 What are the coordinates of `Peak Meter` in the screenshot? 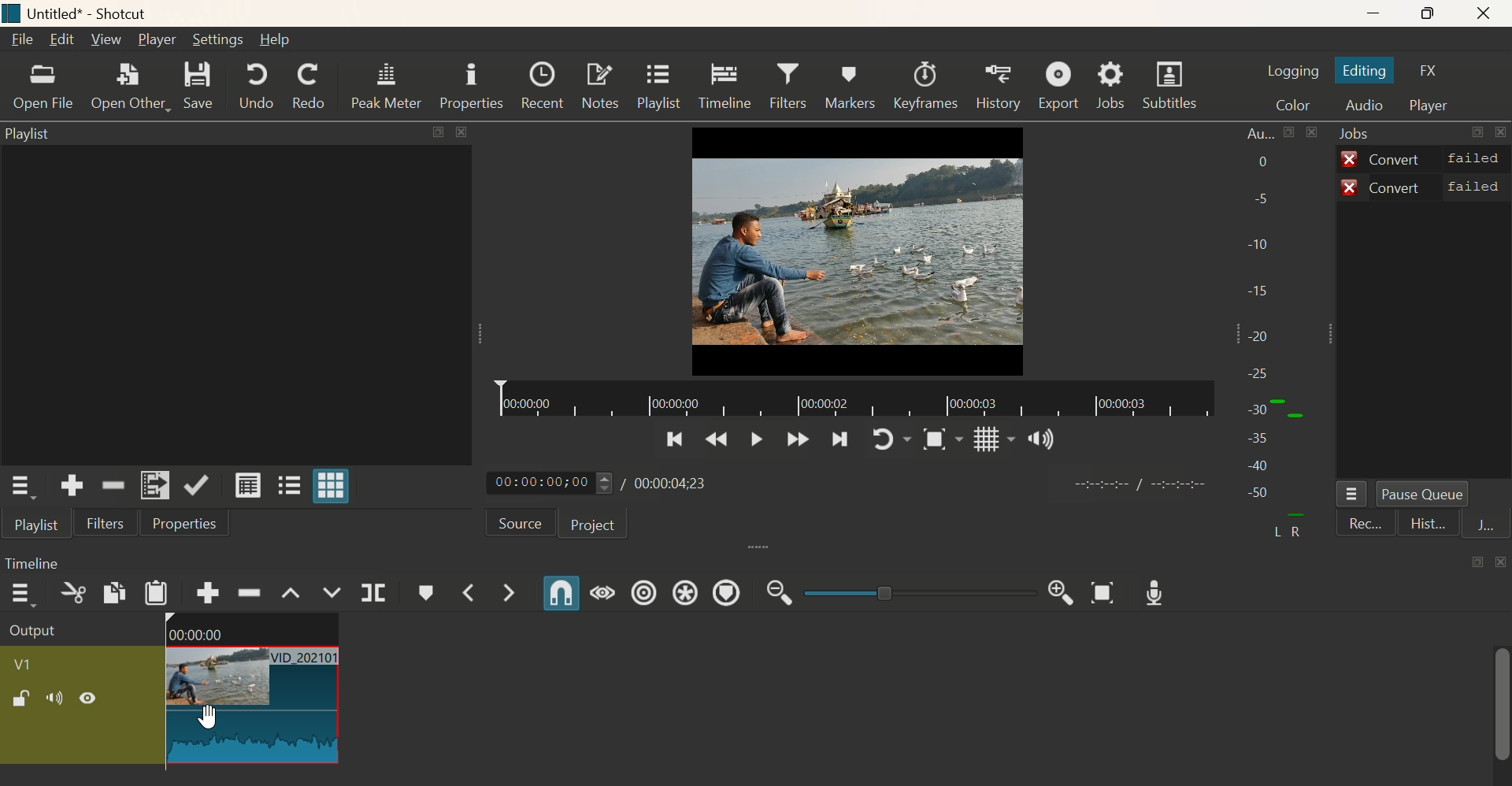 It's located at (387, 85).